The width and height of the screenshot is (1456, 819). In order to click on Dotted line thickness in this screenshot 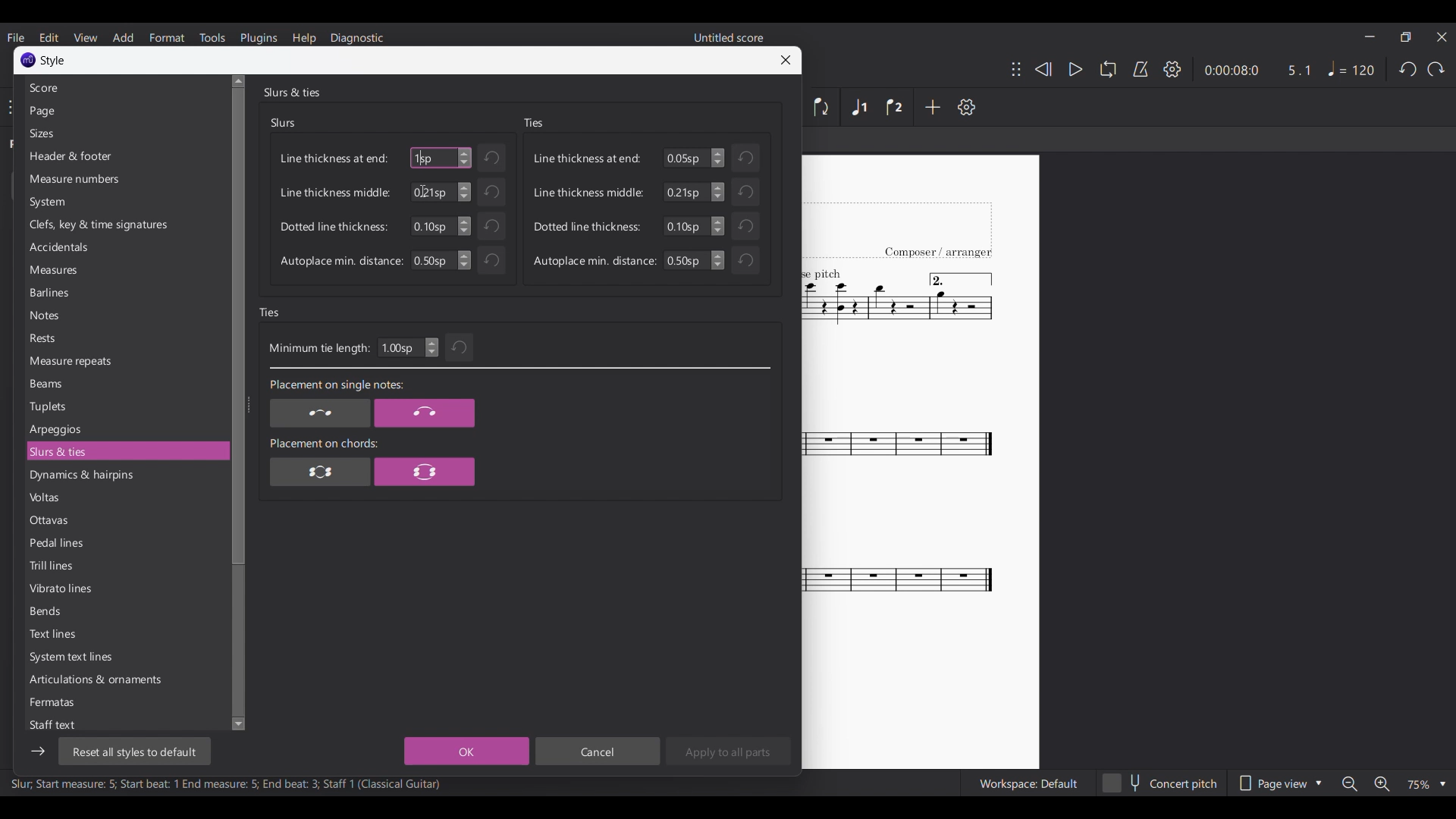, I will do `click(588, 226)`.